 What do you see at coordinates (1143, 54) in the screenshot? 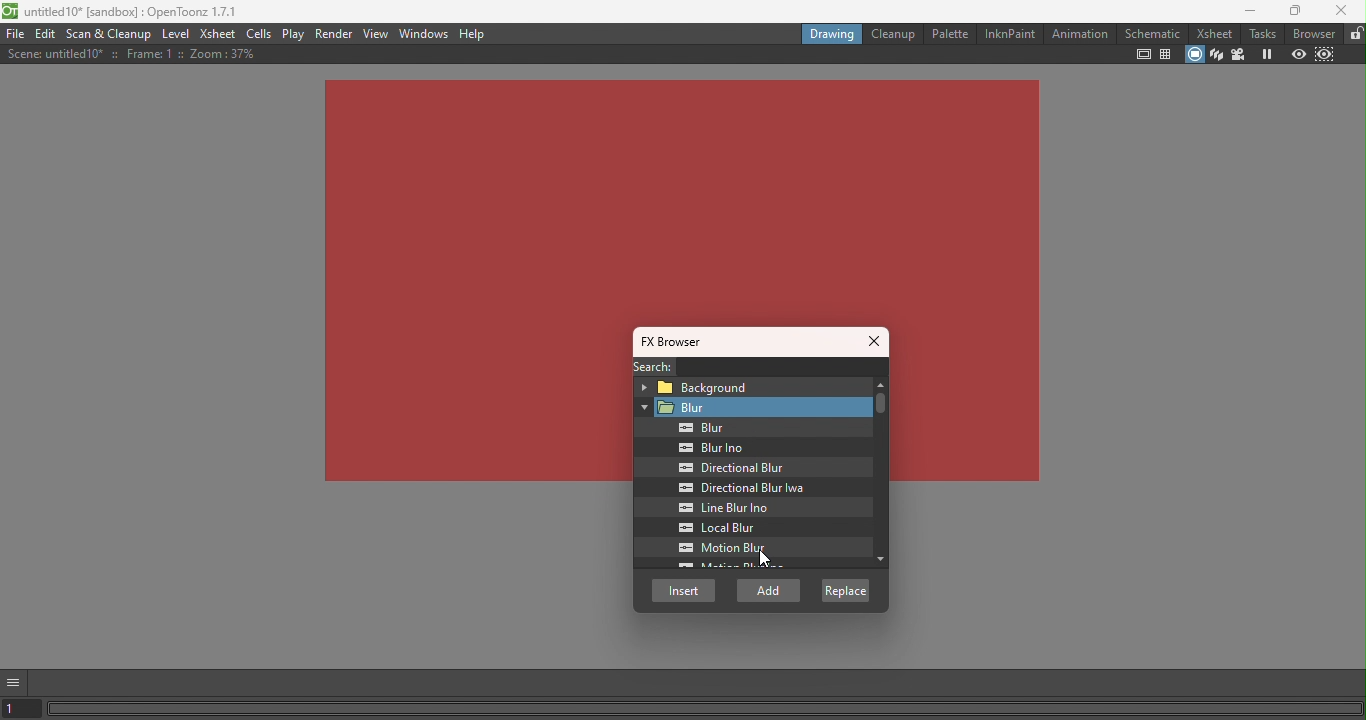
I see `Safe area` at bounding box center [1143, 54].